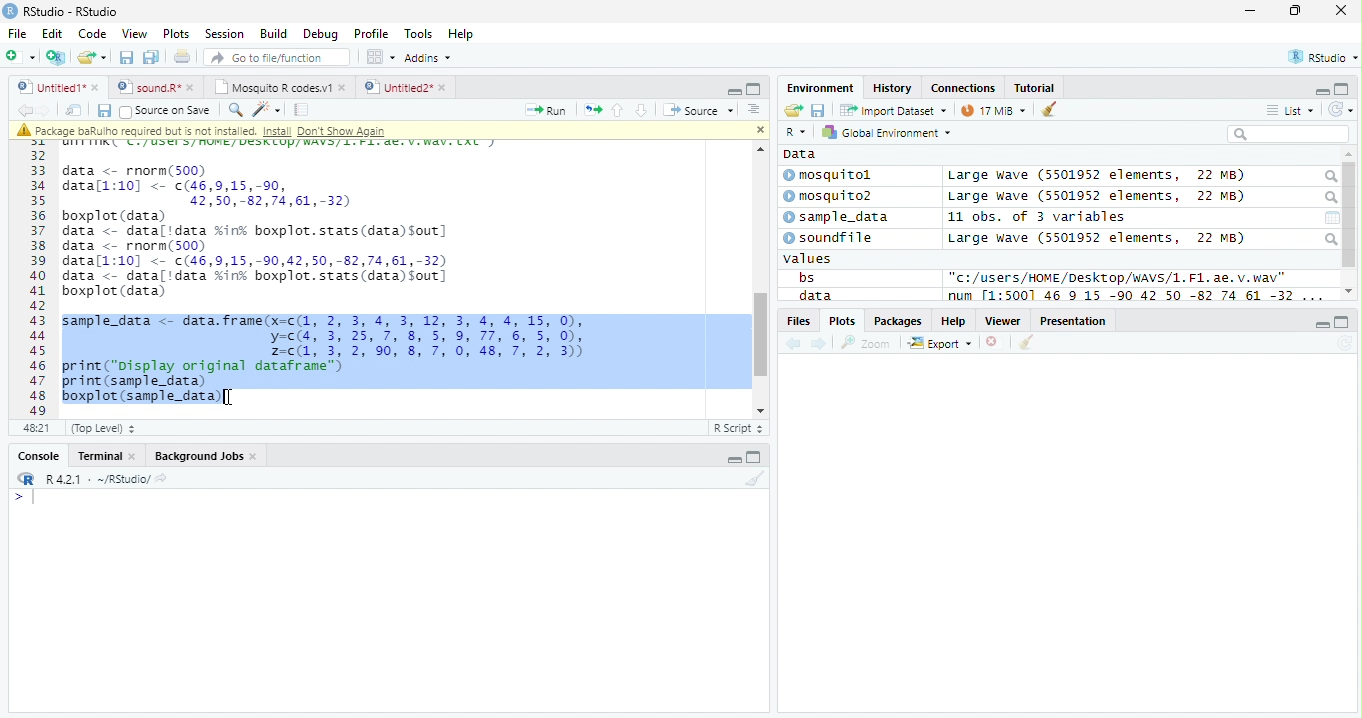 The width and height of the screenshot is (1362, 718). Describe the element at coordinates (1096, 176) in the screenshot. I see `Large wave (5501952 elements, 22 MB)` at that location.